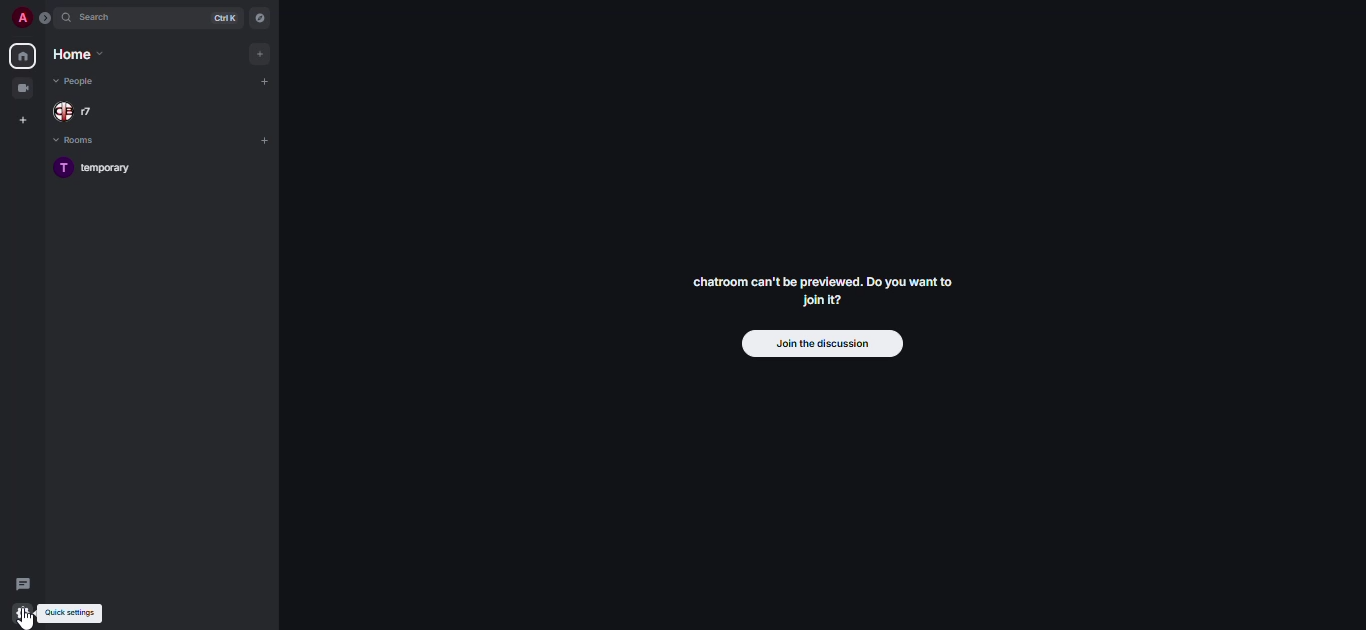  Describe the element at coordinates (260, 54) in the screenshot. I see `add` at that location.